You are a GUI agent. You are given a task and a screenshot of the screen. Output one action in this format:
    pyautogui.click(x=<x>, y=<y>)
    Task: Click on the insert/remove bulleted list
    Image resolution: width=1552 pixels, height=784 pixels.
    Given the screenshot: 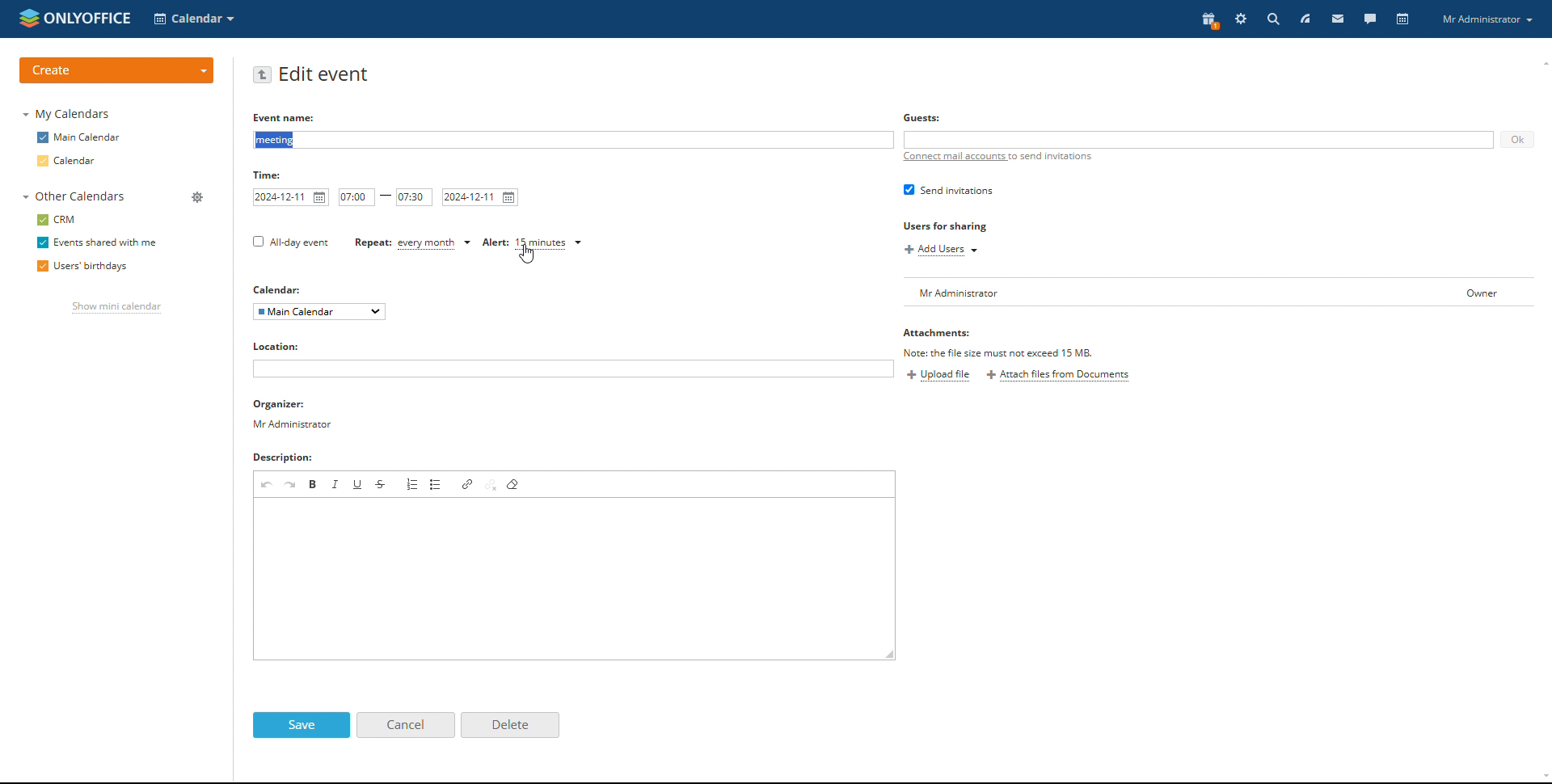 What is the action you would take?
    pyautogui.click(x=436, y=484)
    